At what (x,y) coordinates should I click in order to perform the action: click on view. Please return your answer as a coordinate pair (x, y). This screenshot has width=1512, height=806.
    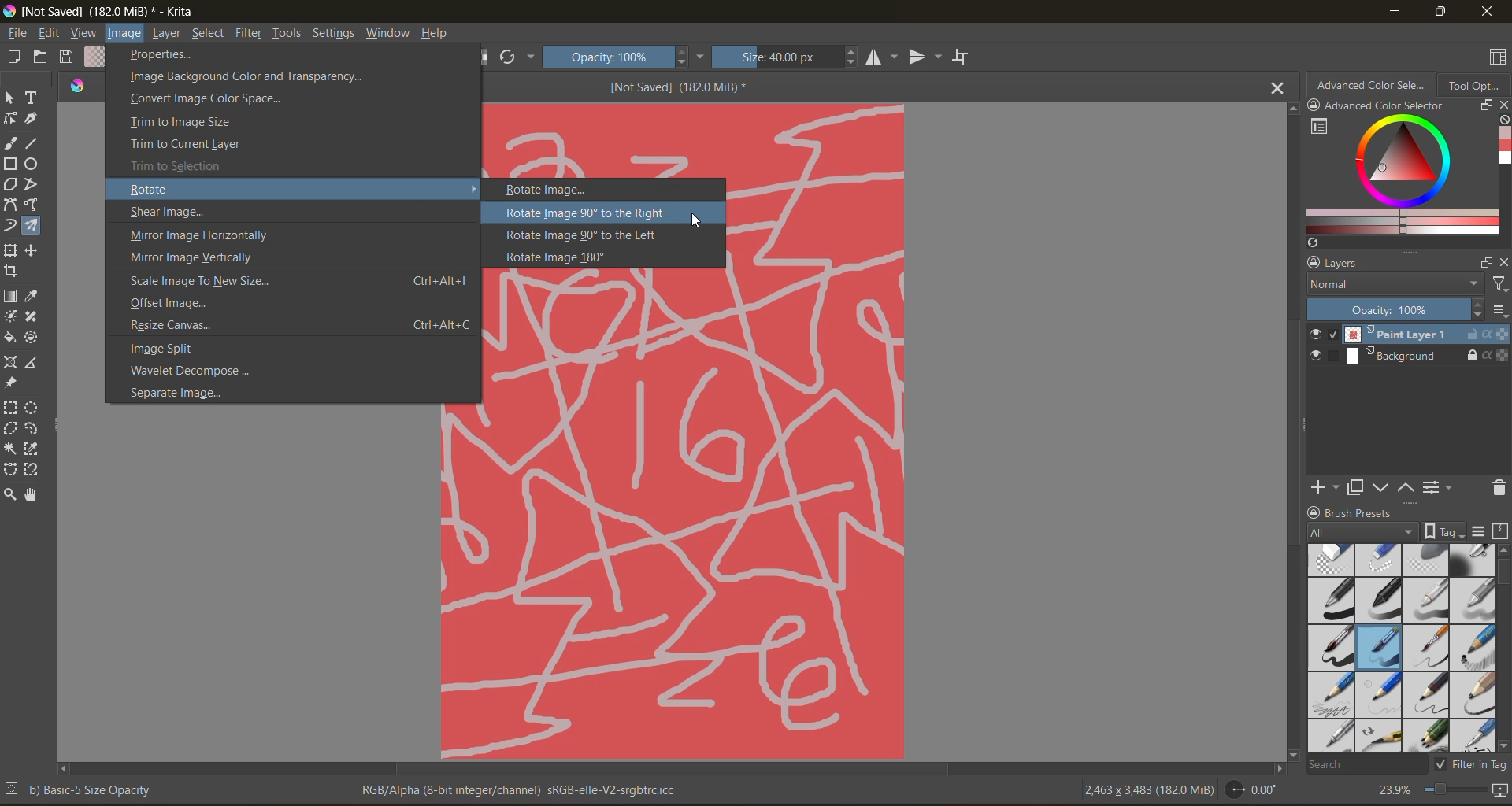
    Looking at the image, I should click on (83, 34).